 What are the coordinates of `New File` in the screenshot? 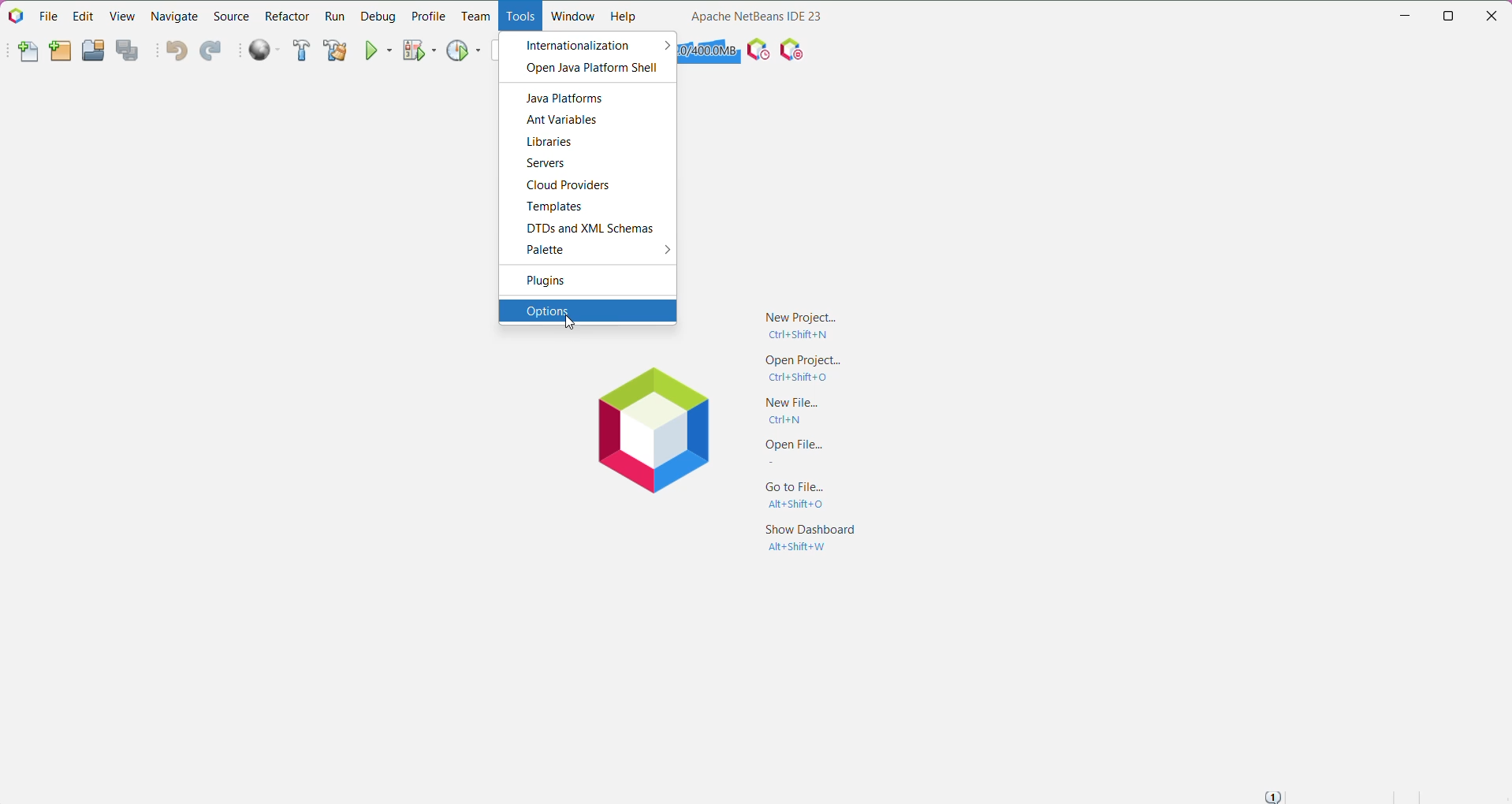 It's located at (27, 54).